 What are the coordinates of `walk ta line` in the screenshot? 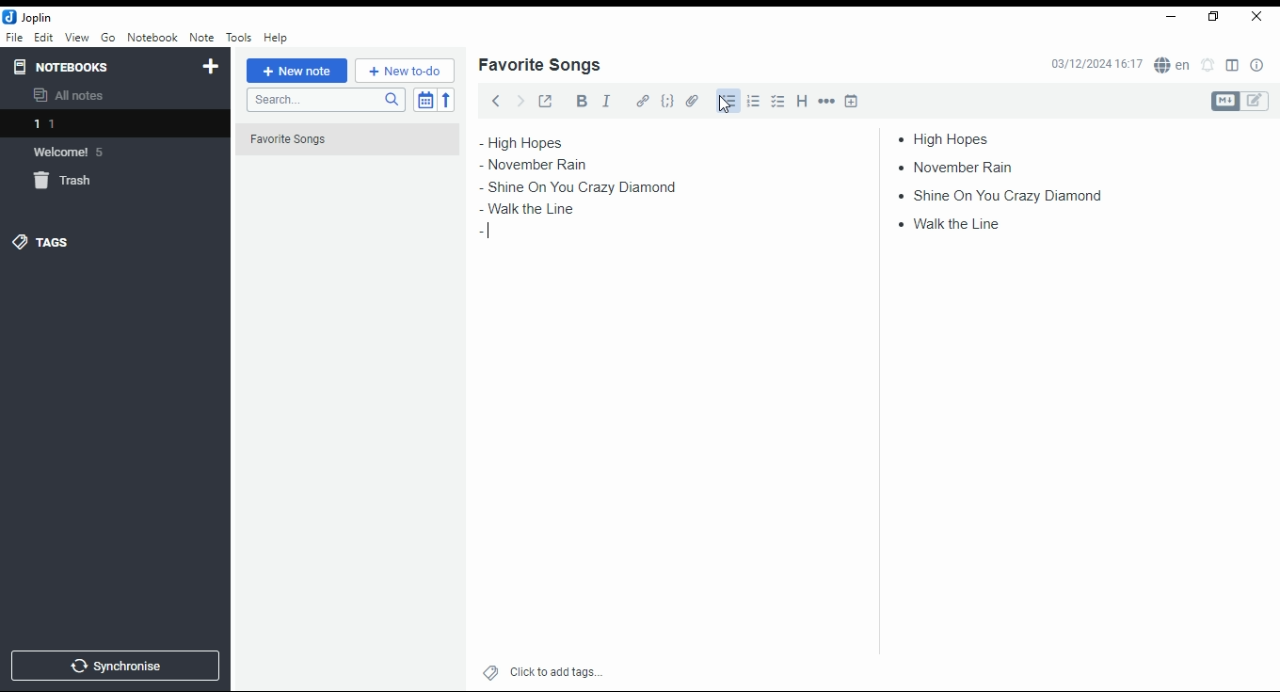 It's located at (520, 210).